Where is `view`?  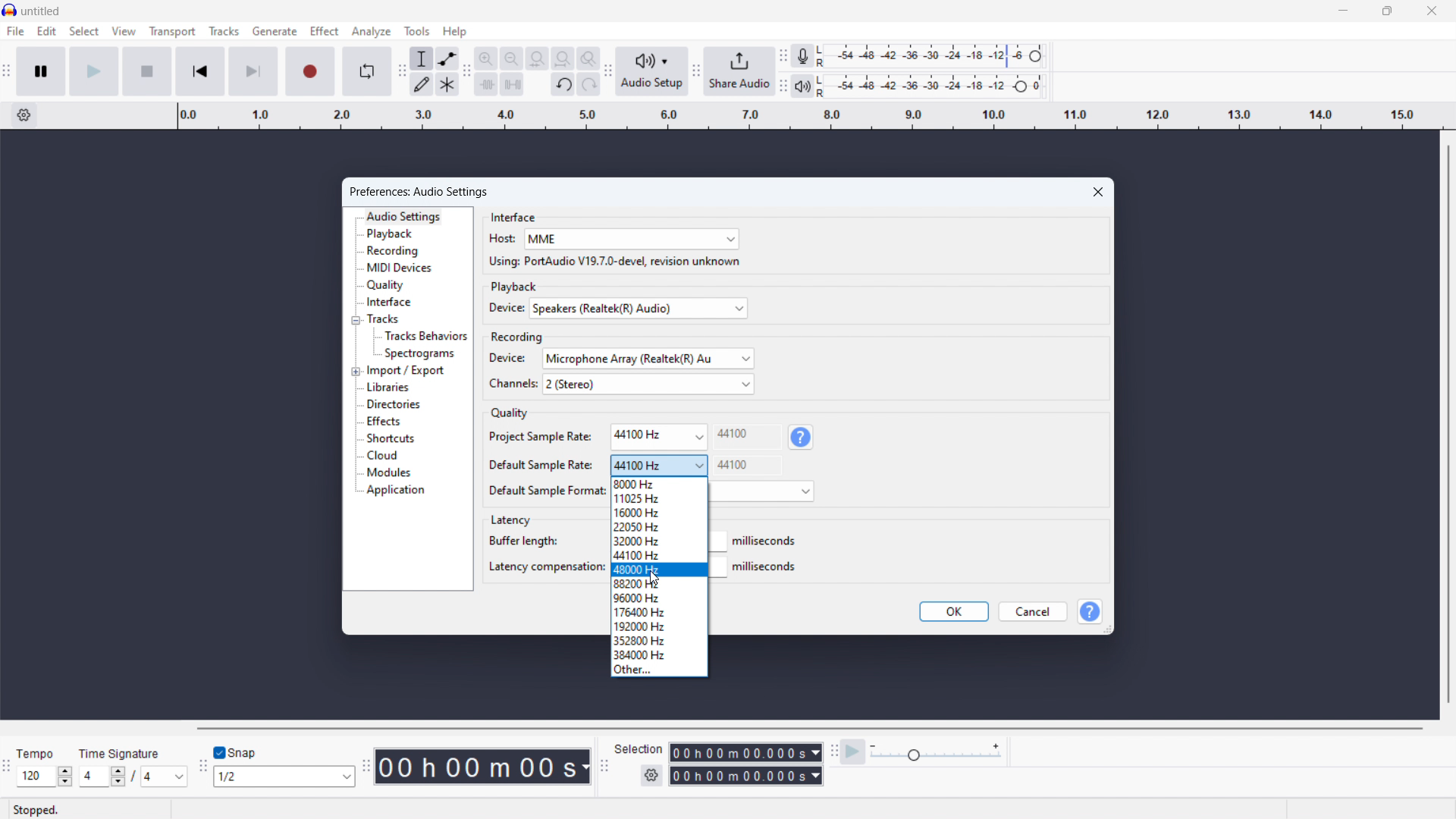
view is located at coordinates (124, 31).